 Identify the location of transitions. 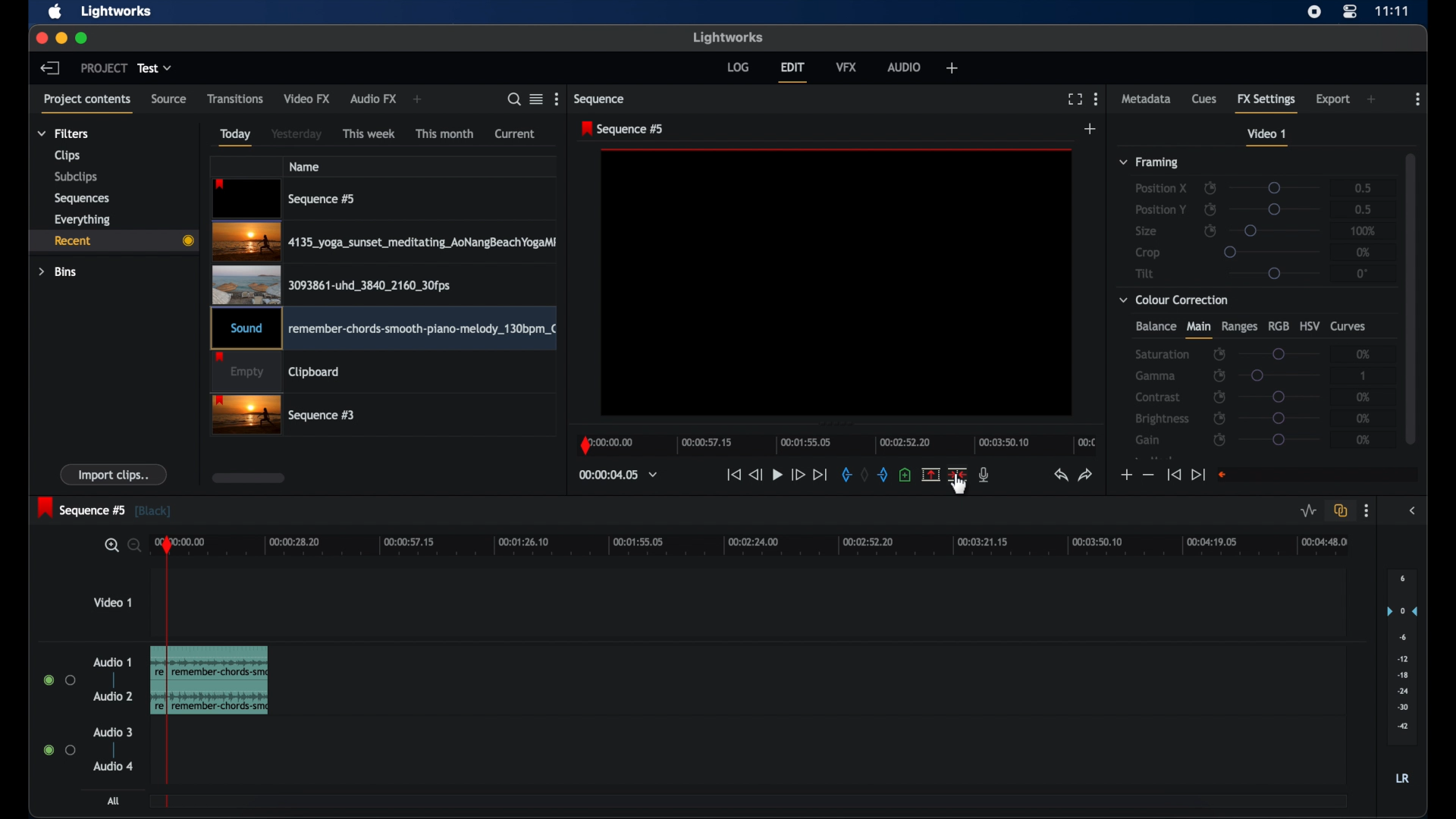
(235, 99).